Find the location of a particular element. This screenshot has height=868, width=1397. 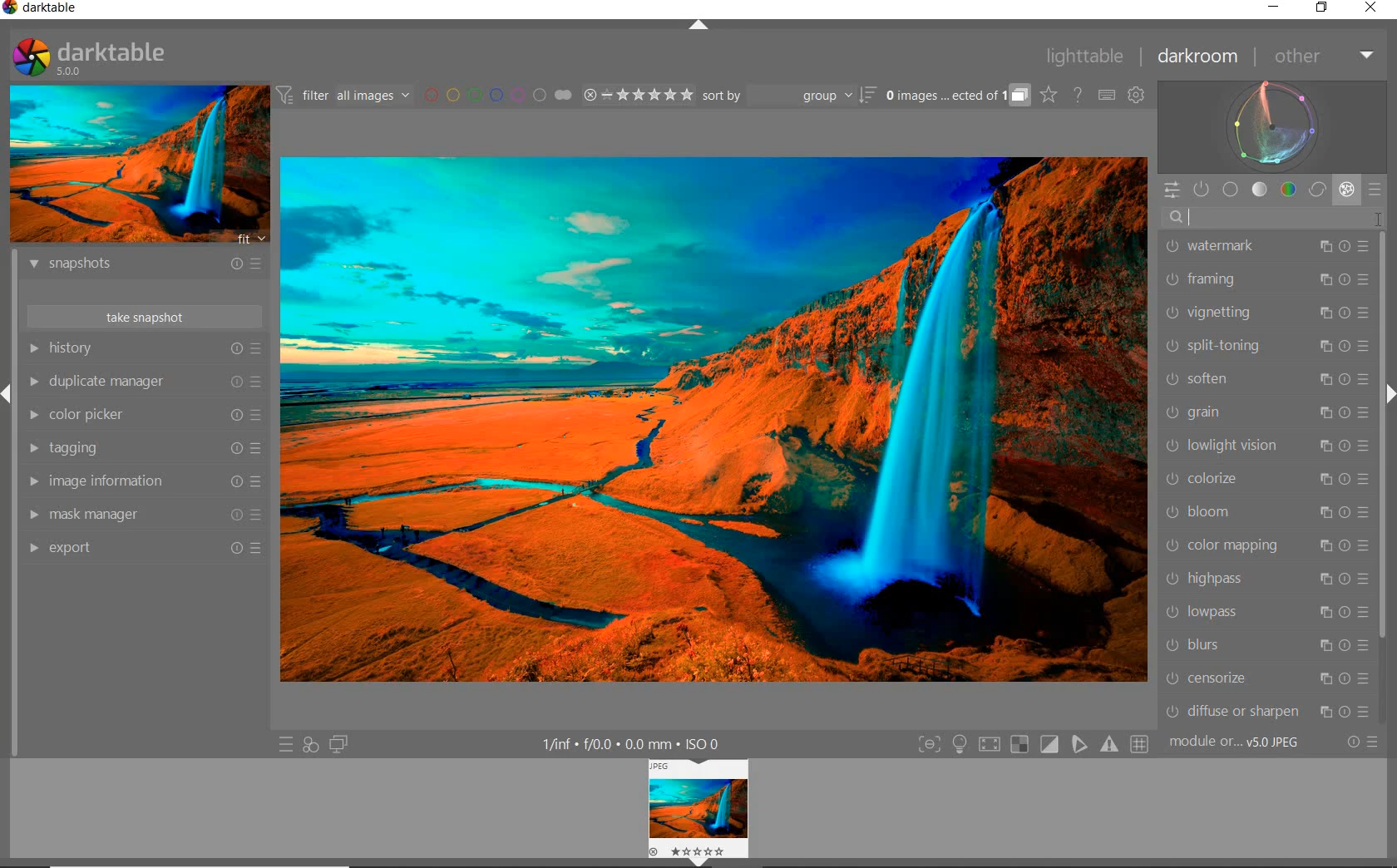

lowlight vision is located at coordinates (1266, 446).